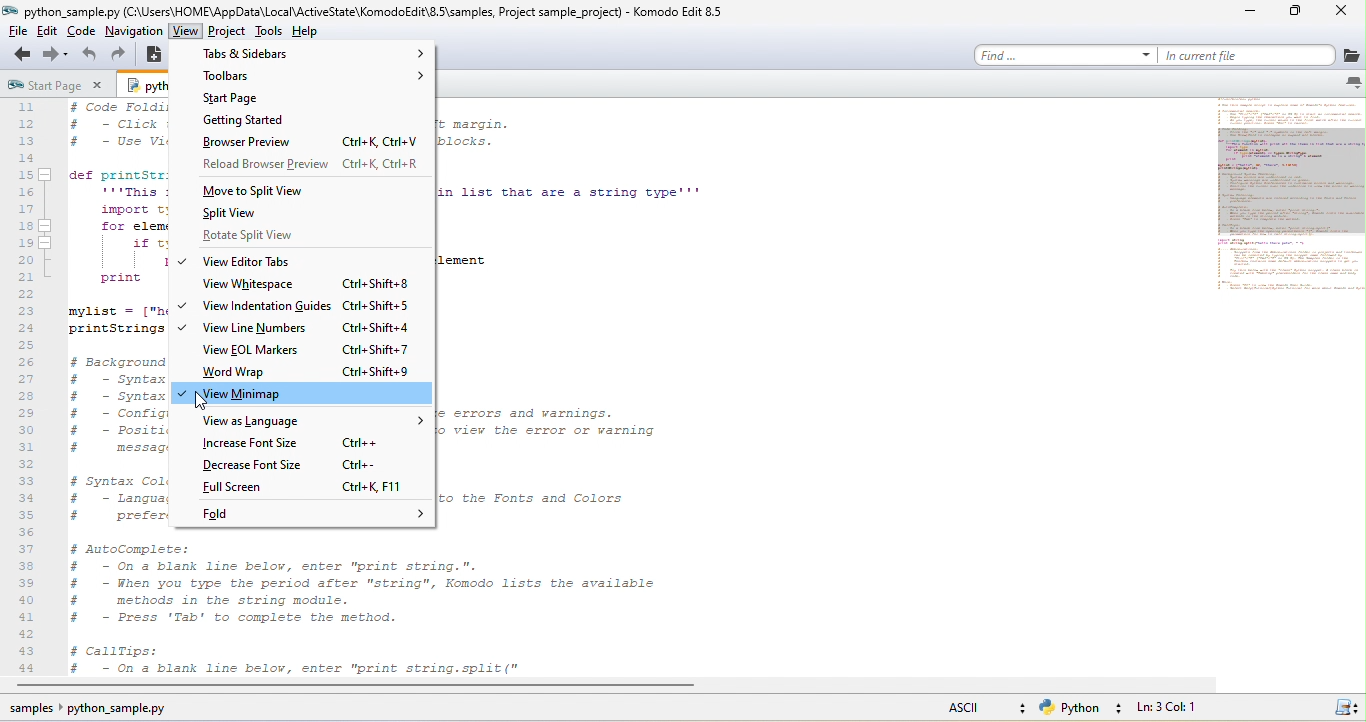  Describe the element at coordinates (56, 55) in the screenshot. I see `forward` at that location.